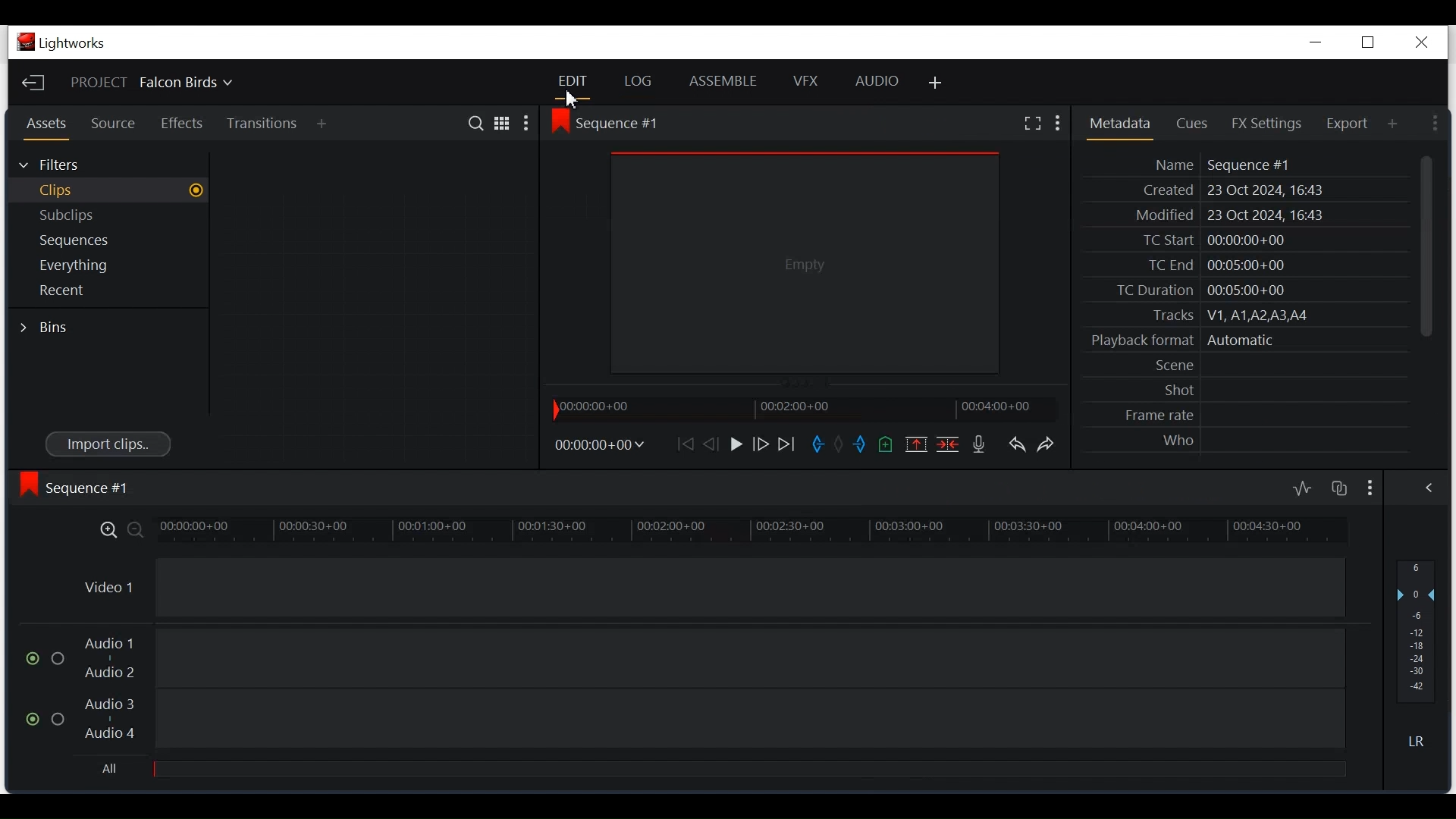 Image resolution: width=1456 pixels, height=819 pixels. What do you see at coordinates (799, 409) in the screenshot?
I see `Timeline` at bounding box center [799, 409].